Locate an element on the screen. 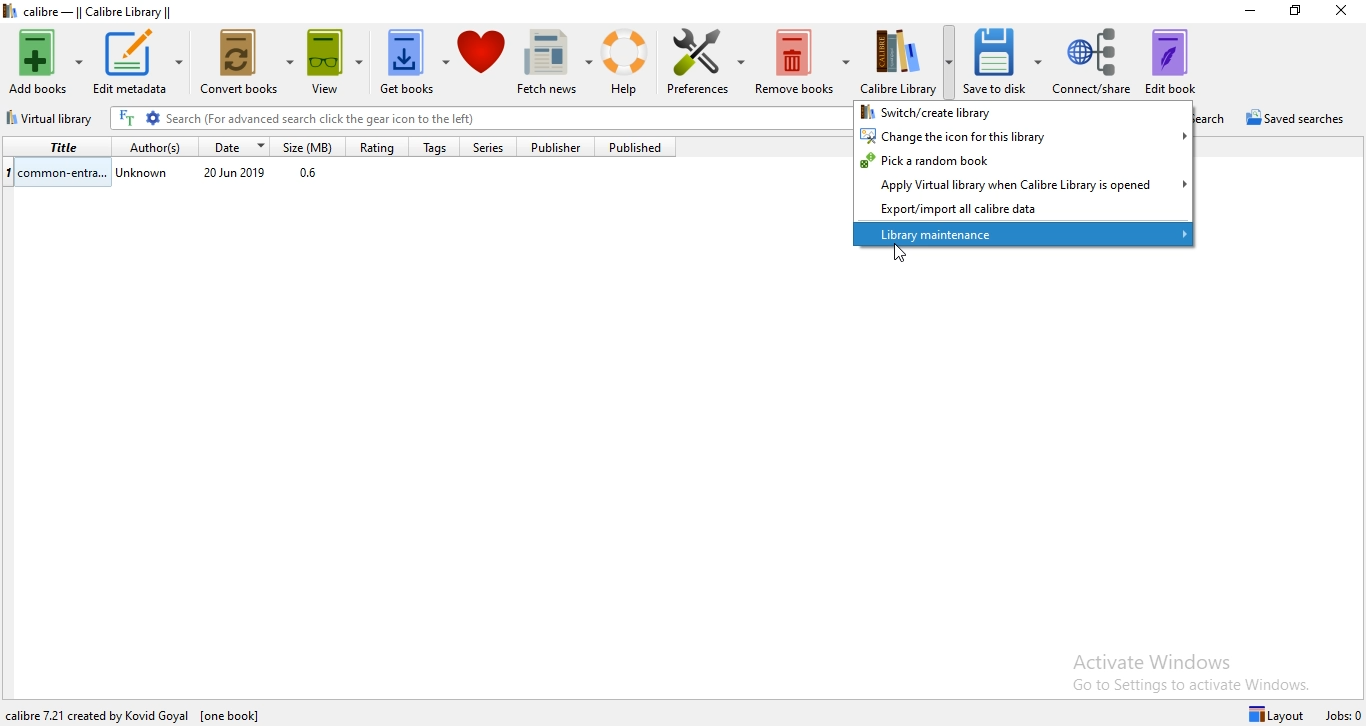 This screenshot has width=1366, height=726. Tags is located at coordinates (433, 148).